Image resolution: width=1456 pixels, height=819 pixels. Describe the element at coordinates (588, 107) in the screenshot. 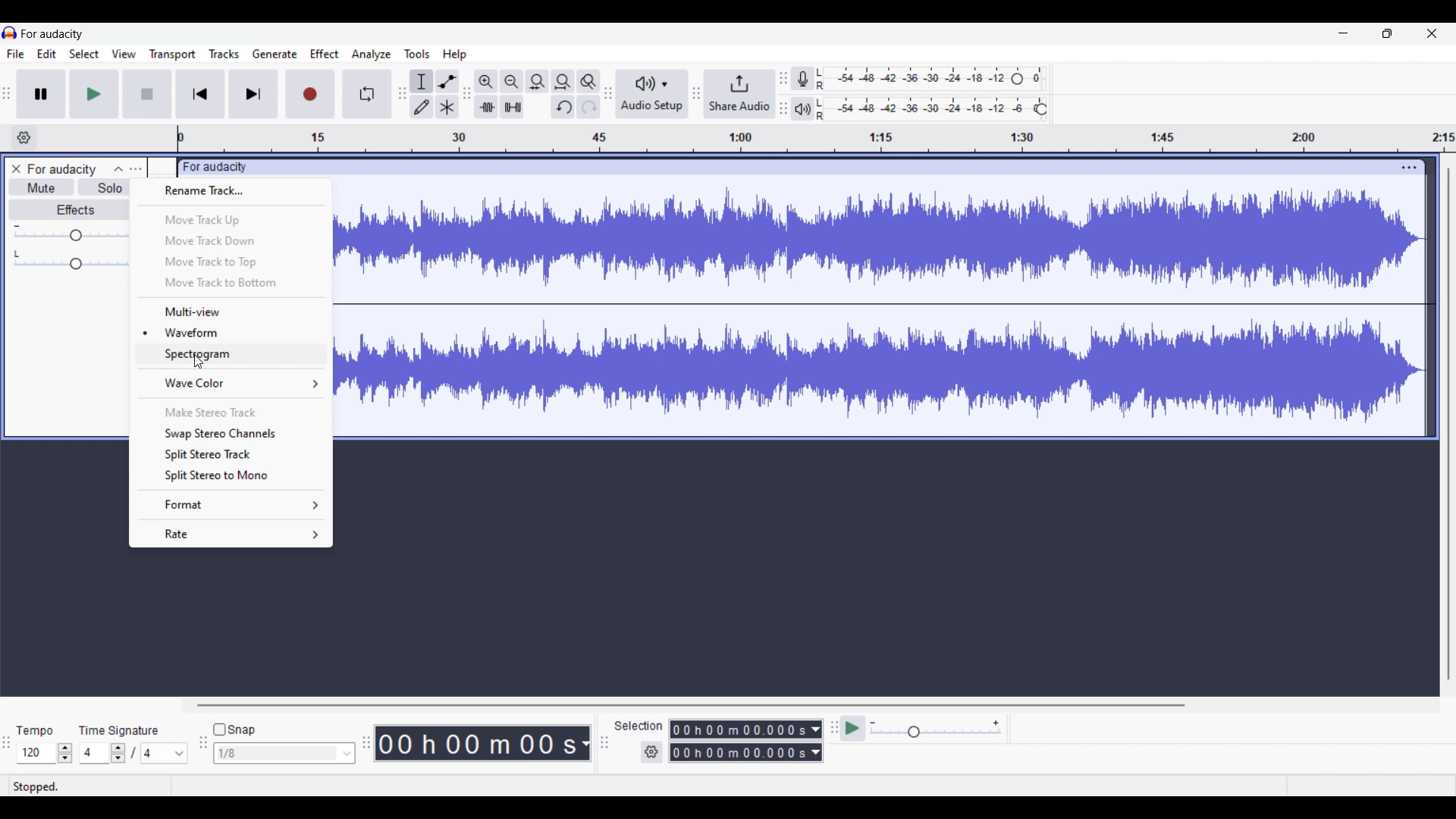

I see `Redo` at that location.